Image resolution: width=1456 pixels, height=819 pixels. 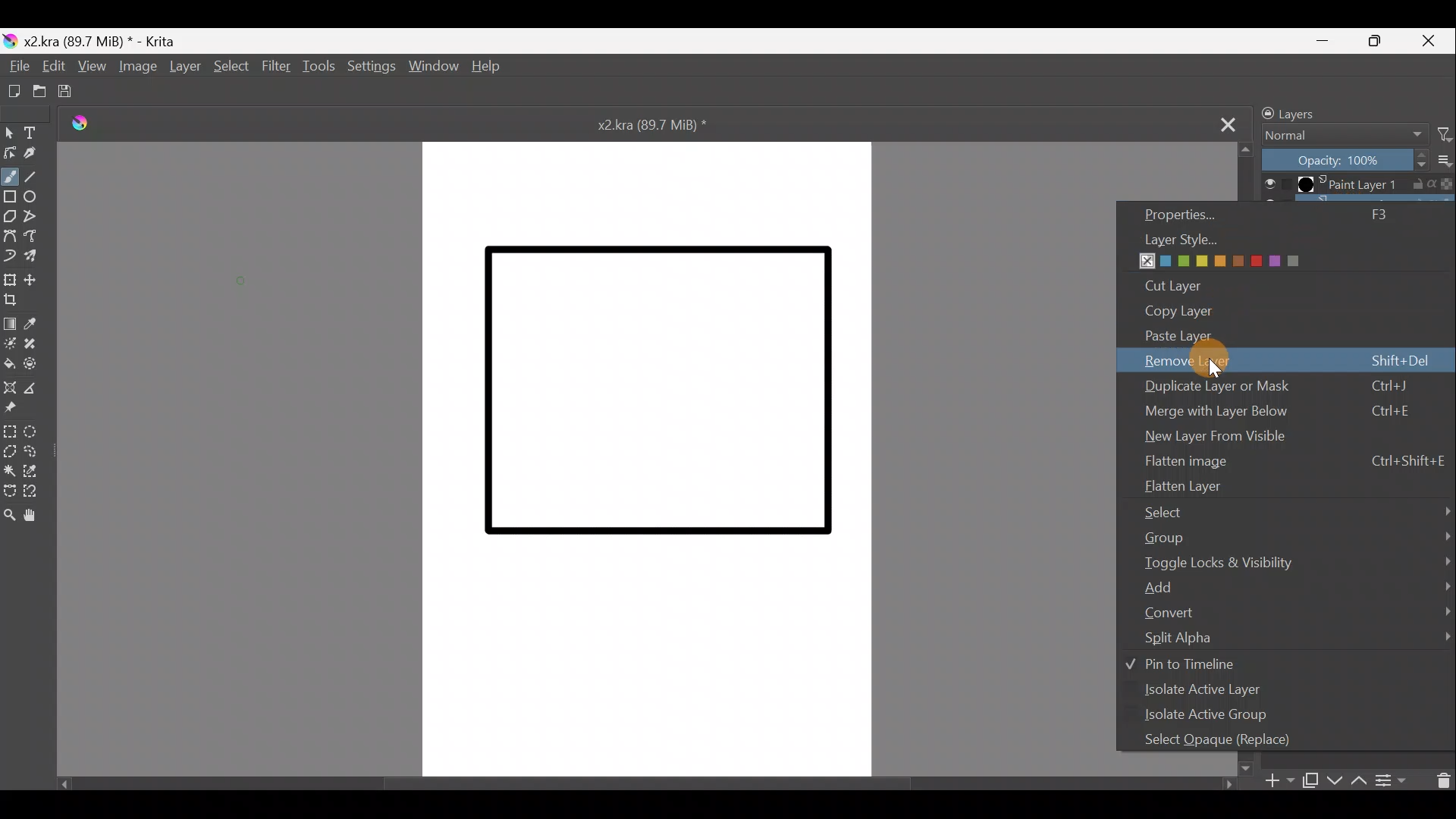 What do you see at coordinates (36, 216) in the screenshot?
I see `Polyline tool` at bounding box center [36, 216].